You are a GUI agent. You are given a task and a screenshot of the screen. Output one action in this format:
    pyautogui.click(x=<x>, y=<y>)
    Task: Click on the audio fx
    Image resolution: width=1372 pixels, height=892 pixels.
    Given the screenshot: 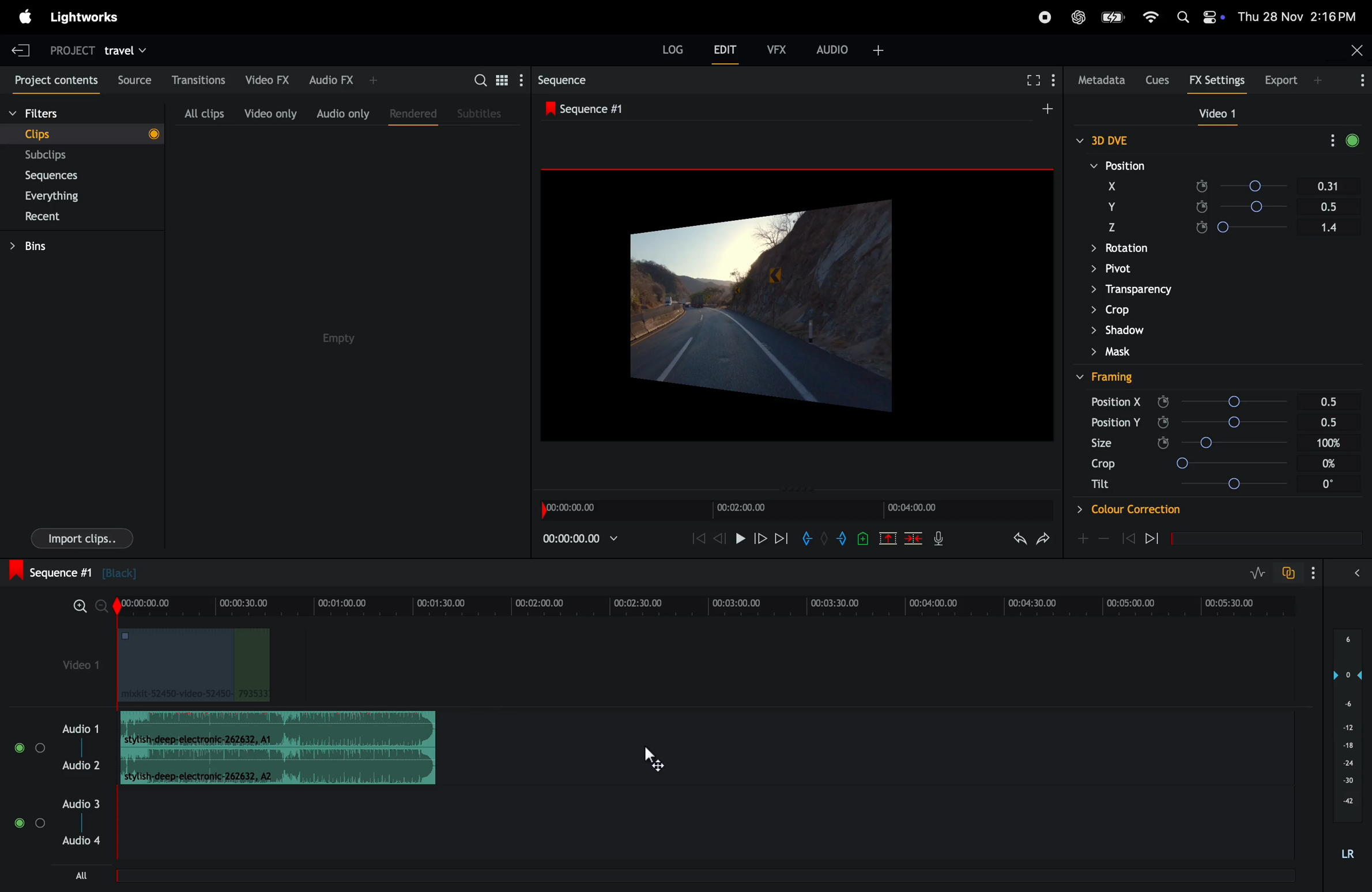 What is the action you would take?
    pyautogui.click(x=342, y=78)
    